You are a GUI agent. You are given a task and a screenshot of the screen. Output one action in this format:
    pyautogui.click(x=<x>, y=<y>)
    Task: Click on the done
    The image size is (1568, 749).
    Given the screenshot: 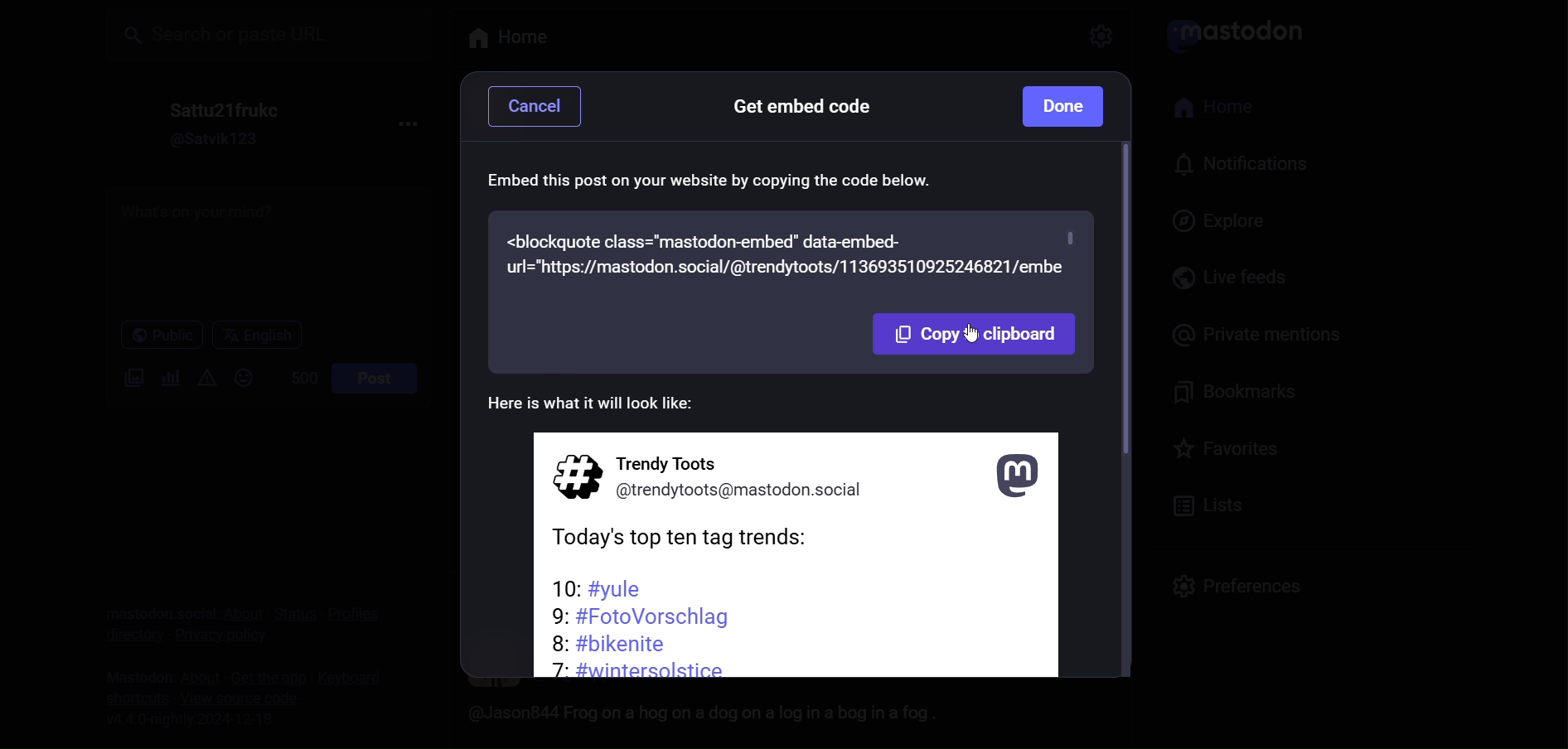 What is the action you would take?
    pyautogui.click(x=1065, y=105)
    